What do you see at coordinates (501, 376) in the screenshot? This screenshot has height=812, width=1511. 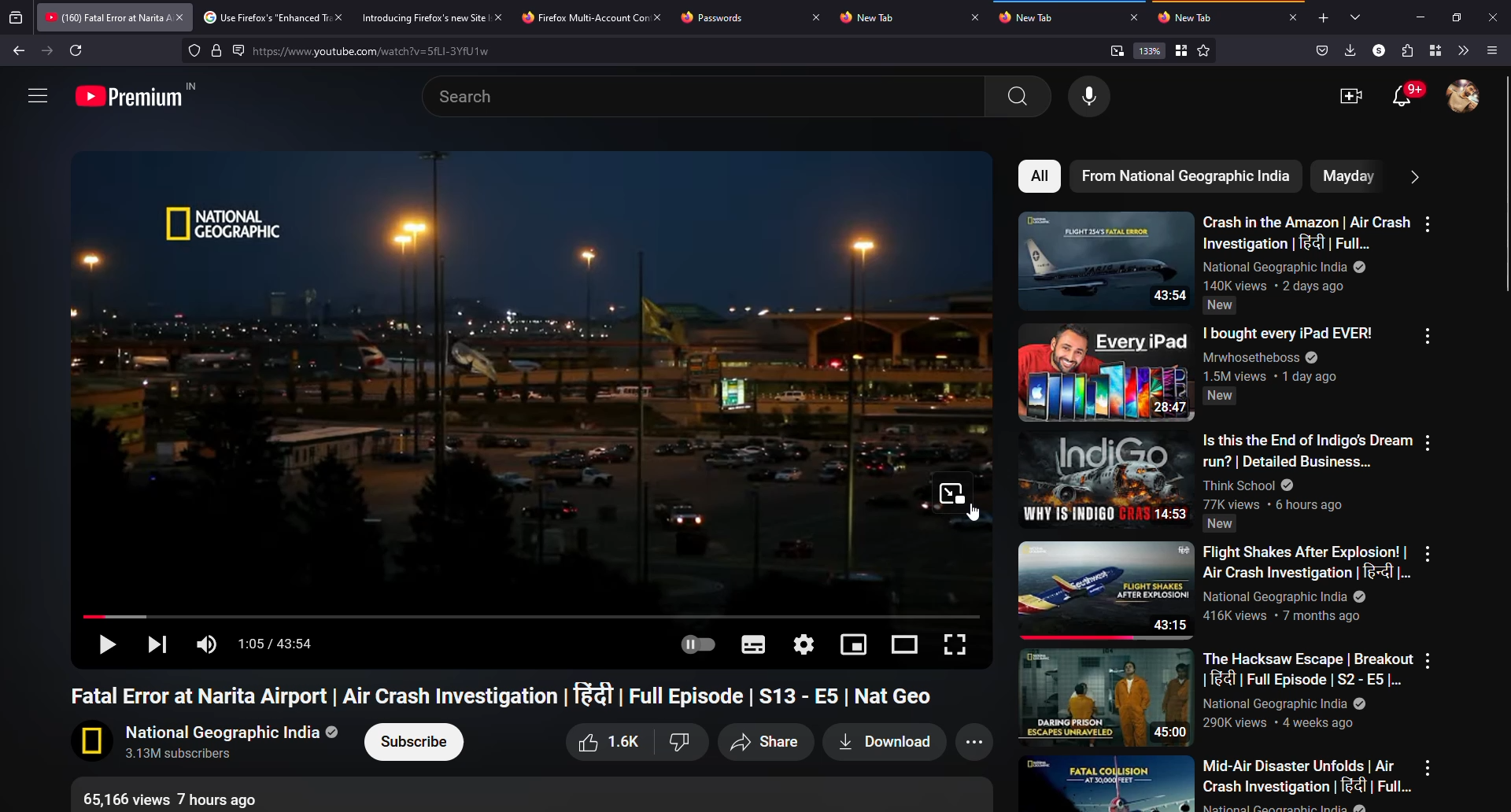 I see `video` at bounding box center [501, 376].